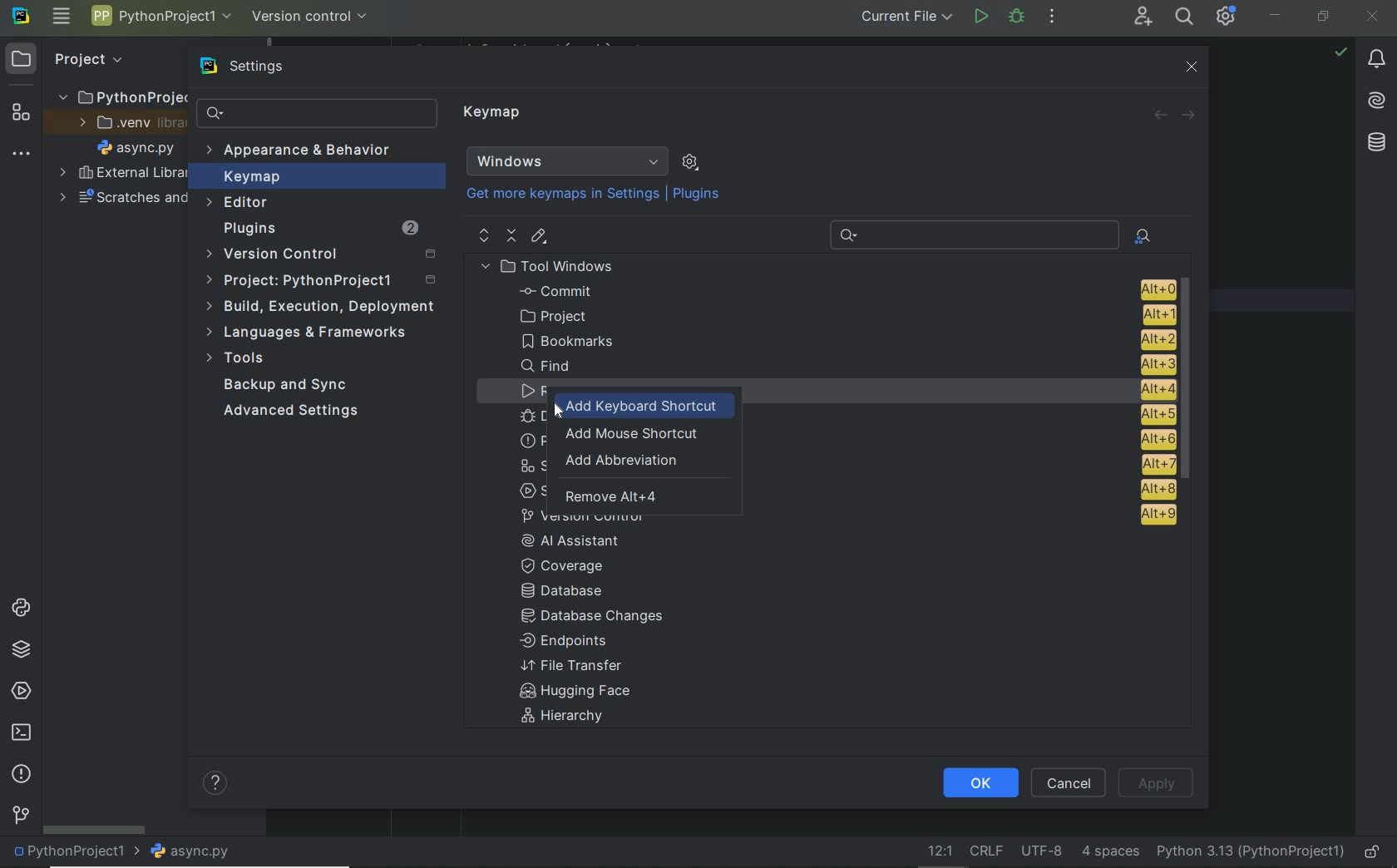  What do you see at coordinates (320, 255) in the screenshot?
I see `Version Control` at bounding box center [320, 255].